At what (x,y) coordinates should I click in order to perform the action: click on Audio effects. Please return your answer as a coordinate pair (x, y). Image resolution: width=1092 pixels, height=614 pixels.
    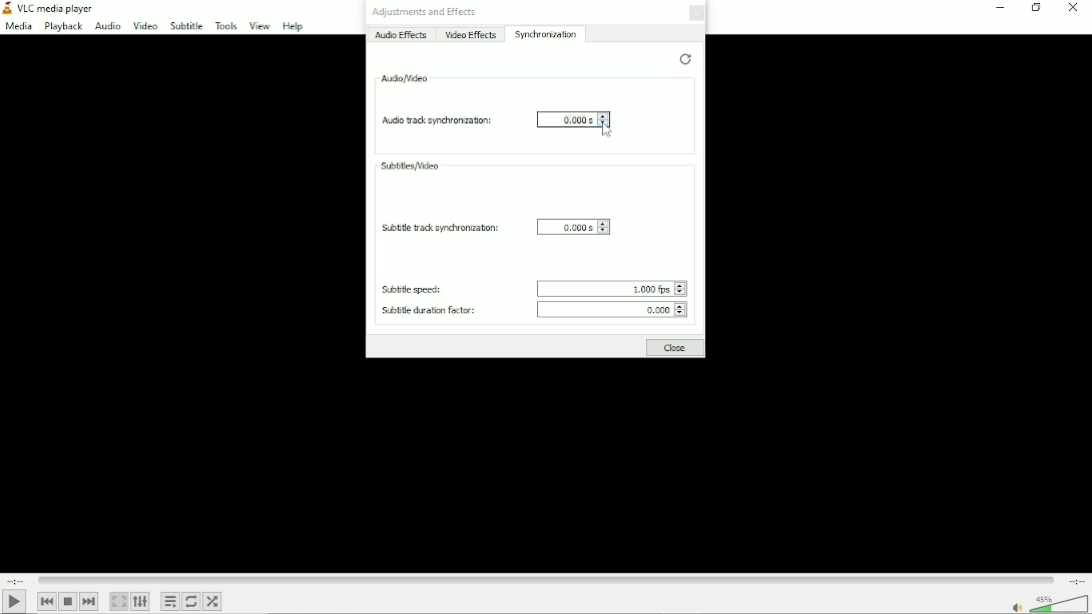
    Looking at the image, I should click on (402, 36).